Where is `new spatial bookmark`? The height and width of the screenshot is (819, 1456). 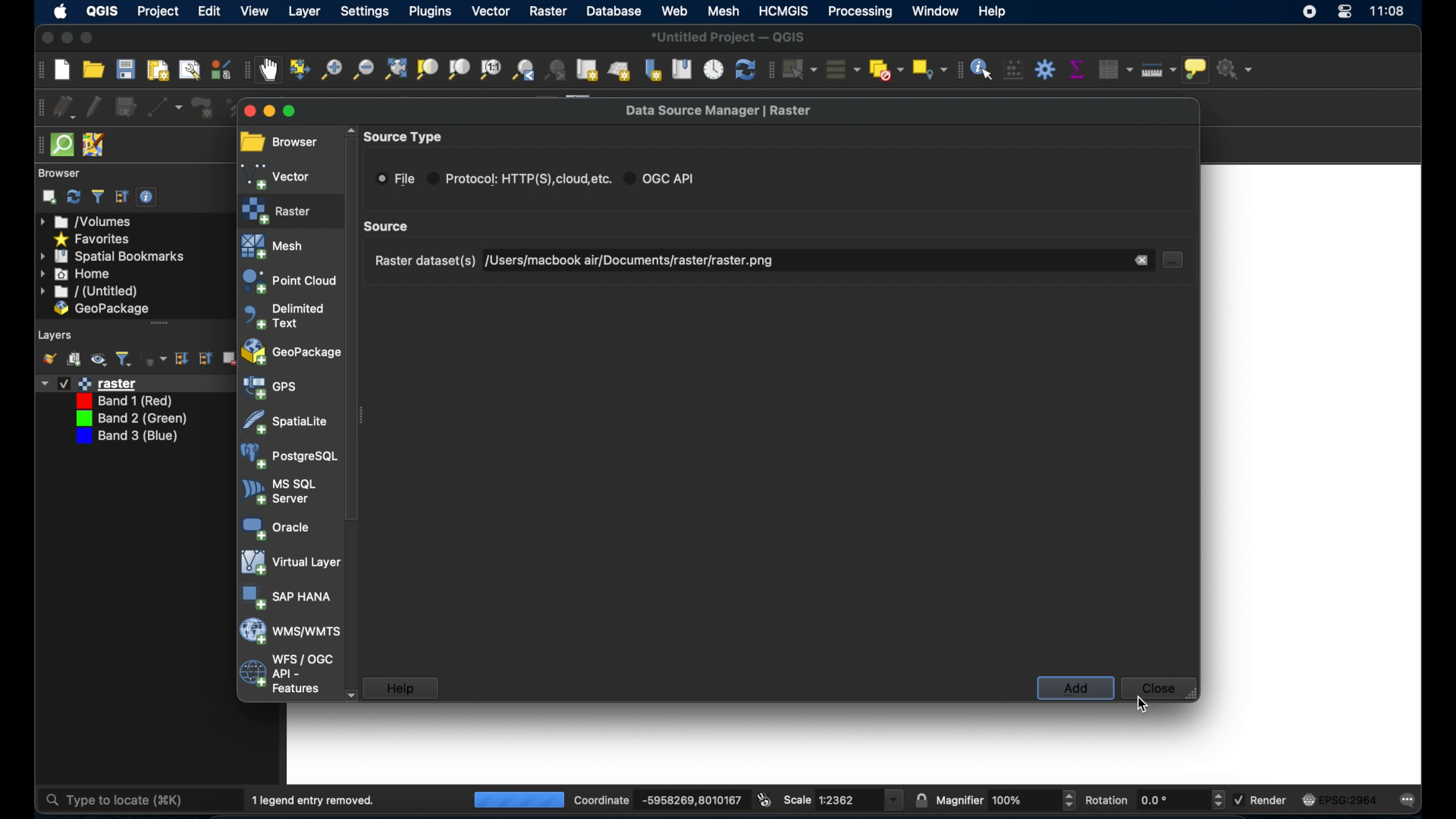 new spatial bookmark is located at coordinates (654, 69).